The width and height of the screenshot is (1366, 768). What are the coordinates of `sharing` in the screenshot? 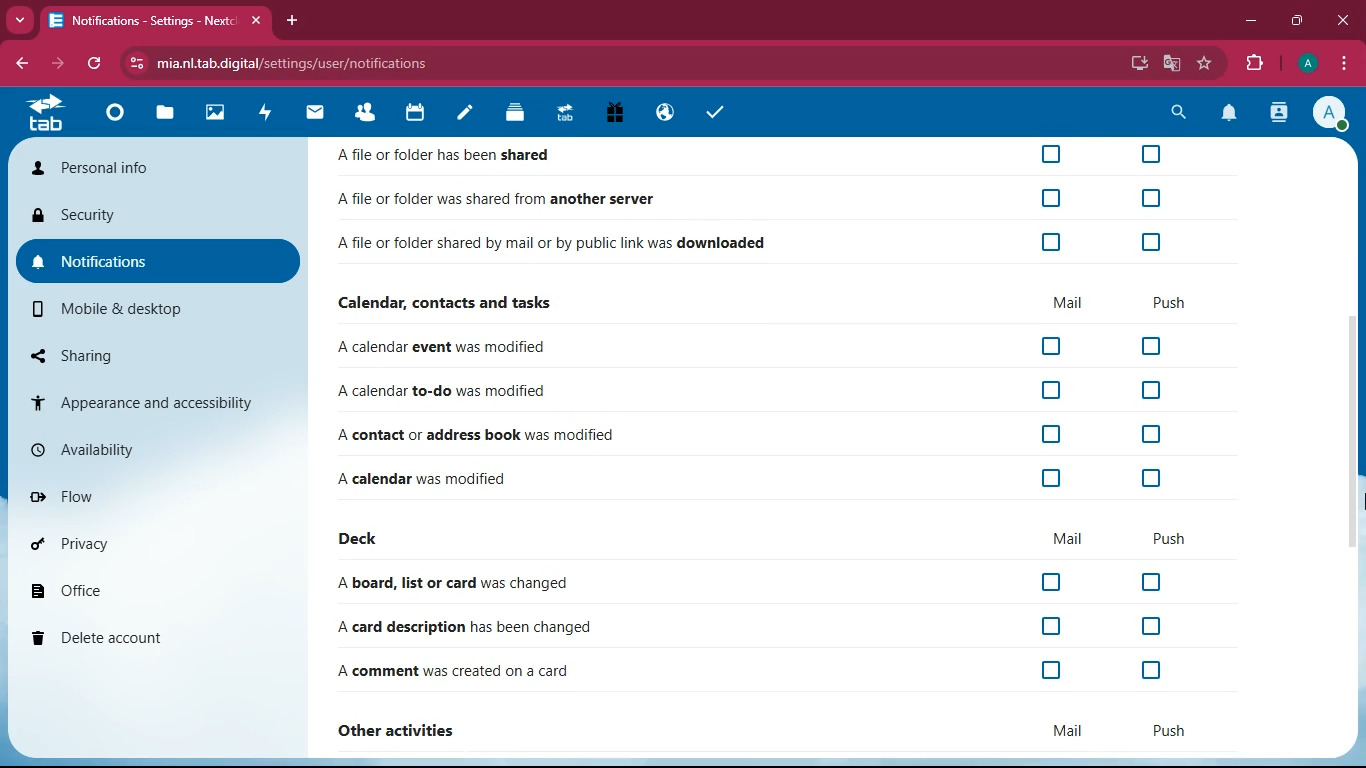 It's located at (159, 354).